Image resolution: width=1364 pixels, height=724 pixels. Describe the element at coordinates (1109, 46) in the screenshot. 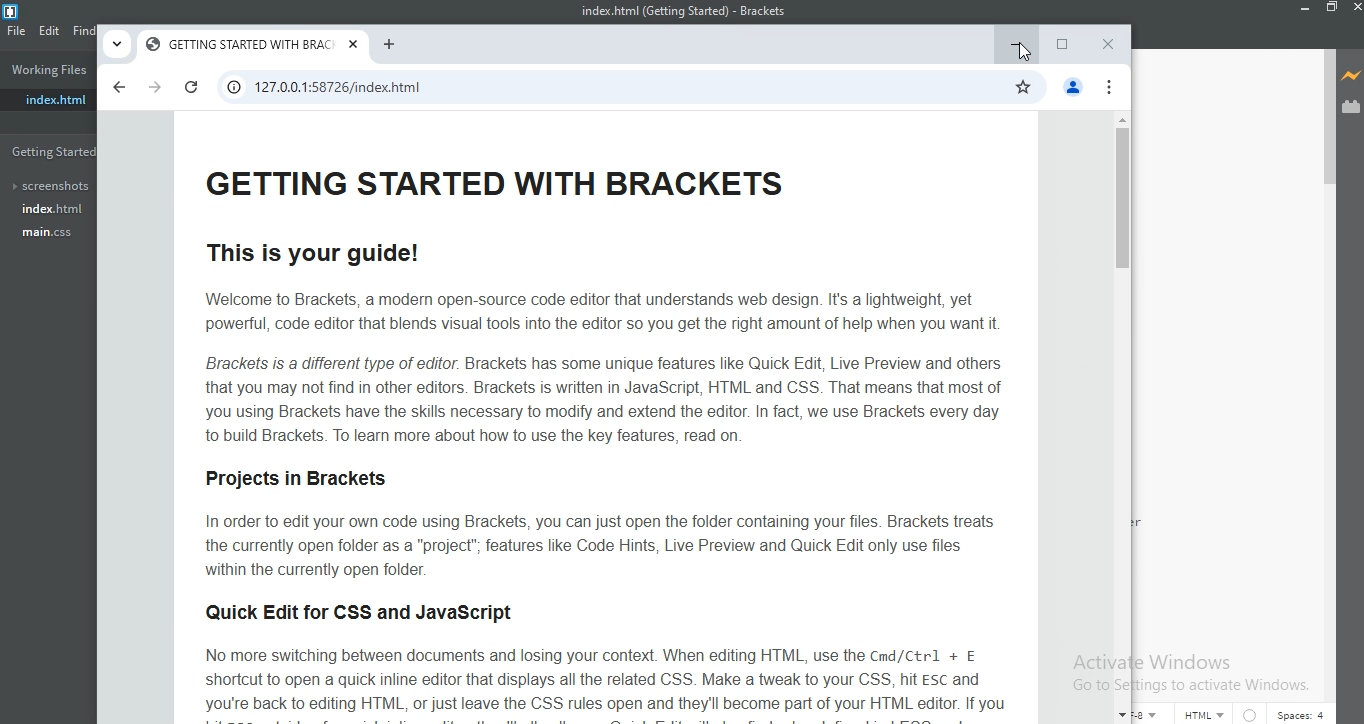

I see `Close` at that location.